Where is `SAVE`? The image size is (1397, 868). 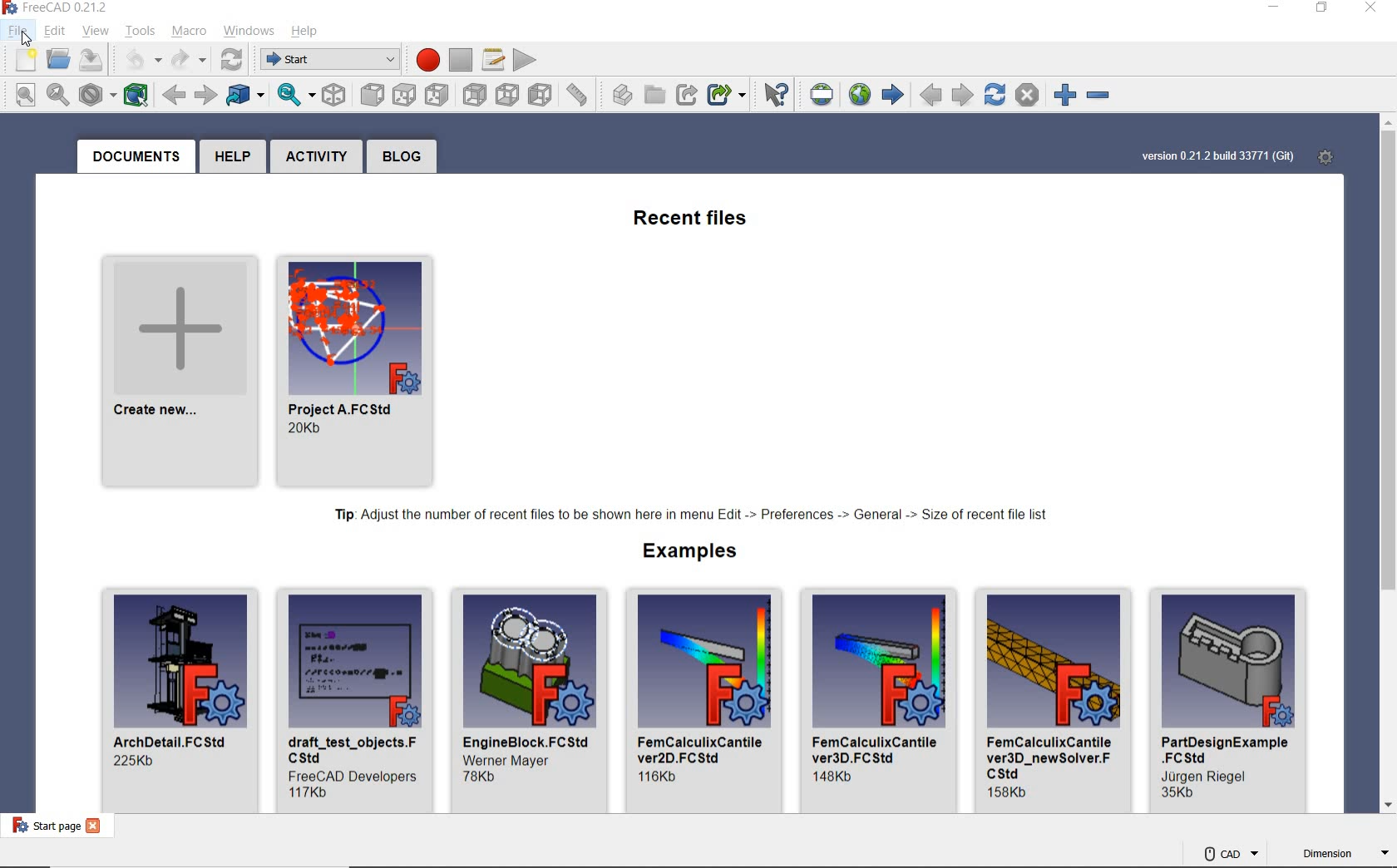
SAVE is located at coordinates (93, 59).